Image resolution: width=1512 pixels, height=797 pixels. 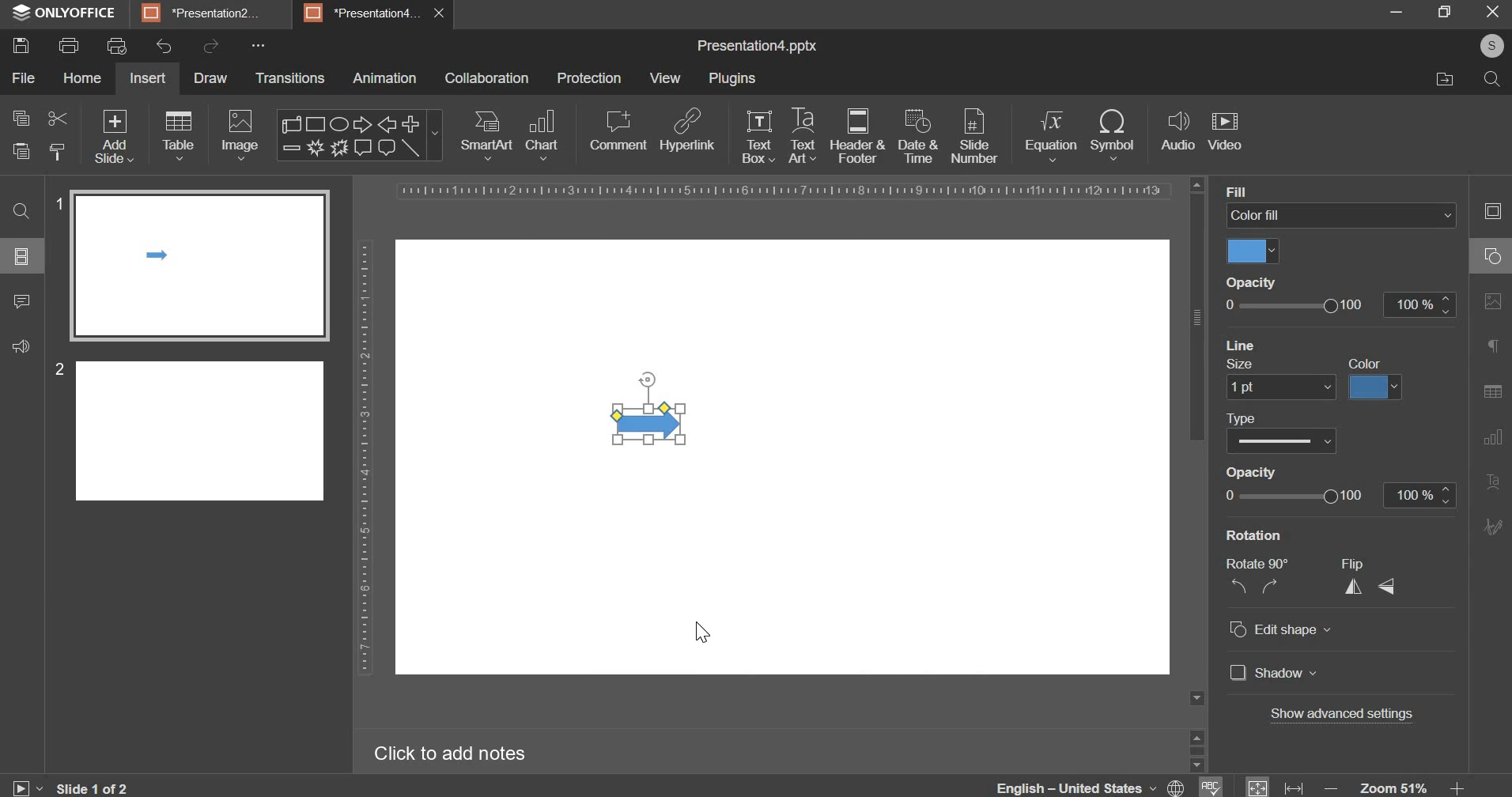 What do you see at coordinates (148, 78) in the screenshot?
I see `insert` at bounding box center [148, 78].